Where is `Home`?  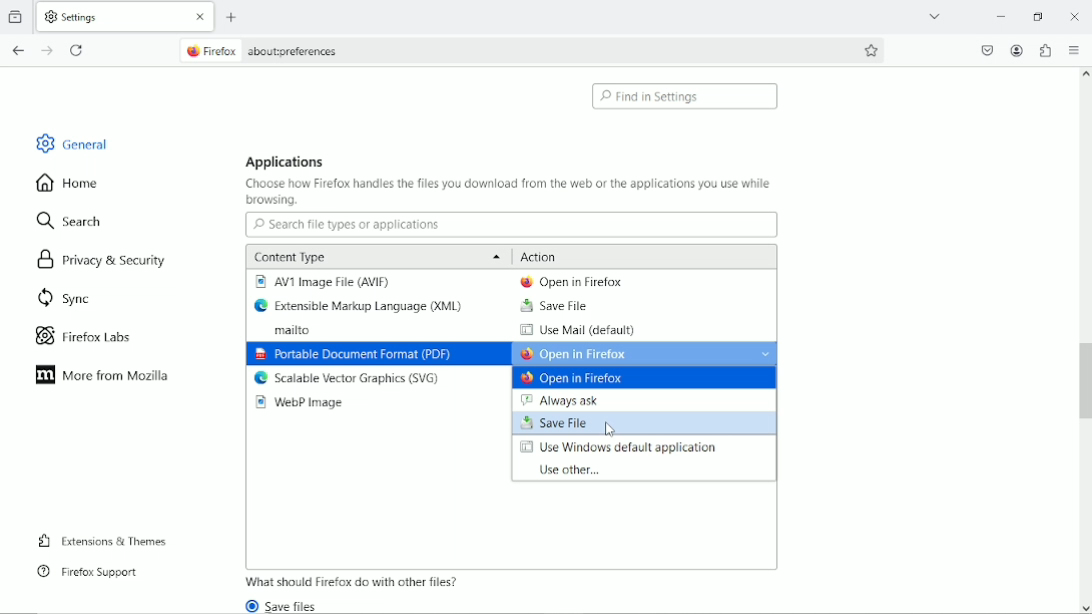 Home is located at coordinates (76, 182).